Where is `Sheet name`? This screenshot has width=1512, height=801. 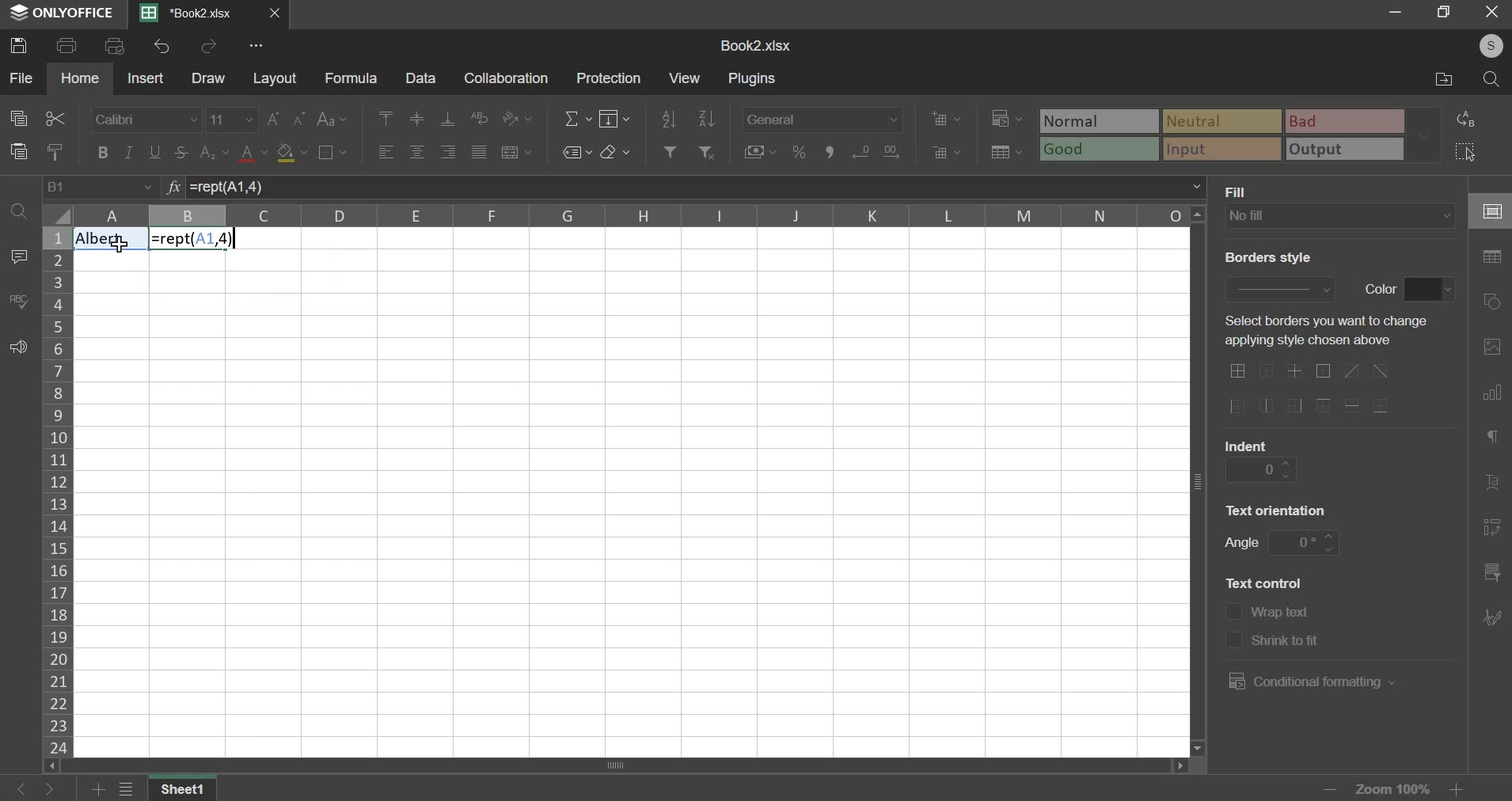
Sheet name is located at coordinates (184, 788).